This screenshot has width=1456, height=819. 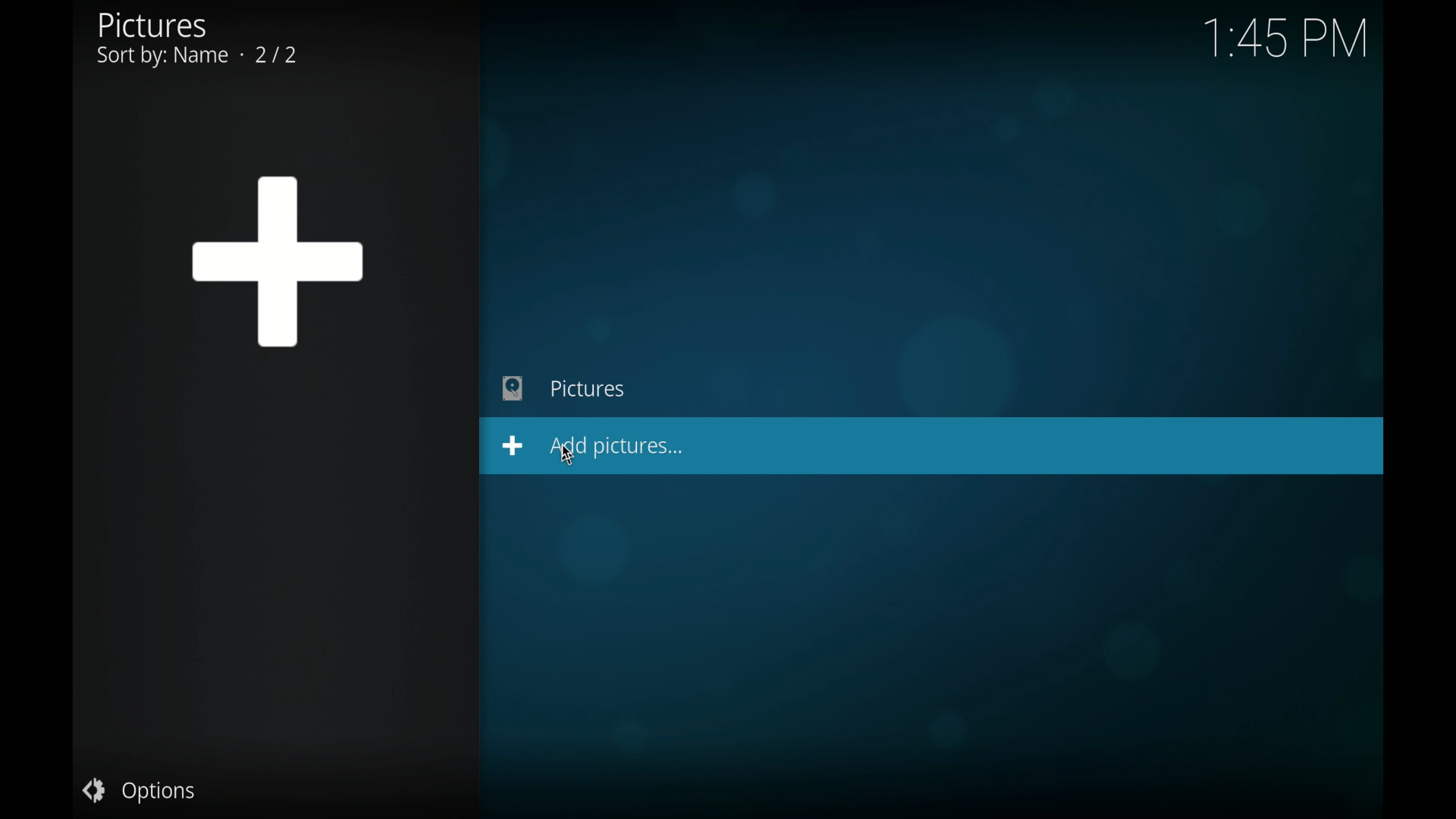 I want to click on pictures, so click(x=563, y=388).